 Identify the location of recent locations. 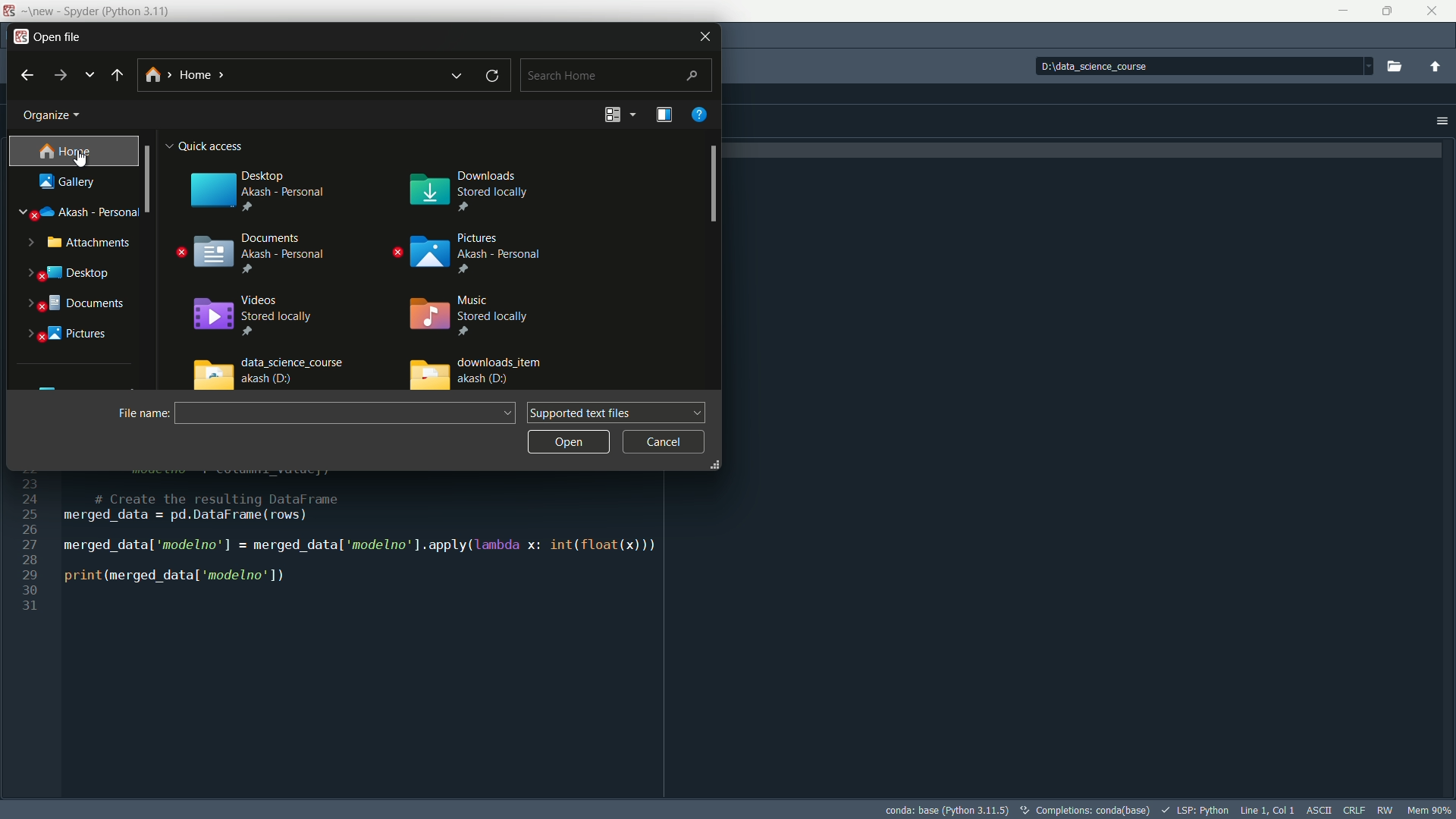
(89, 76).